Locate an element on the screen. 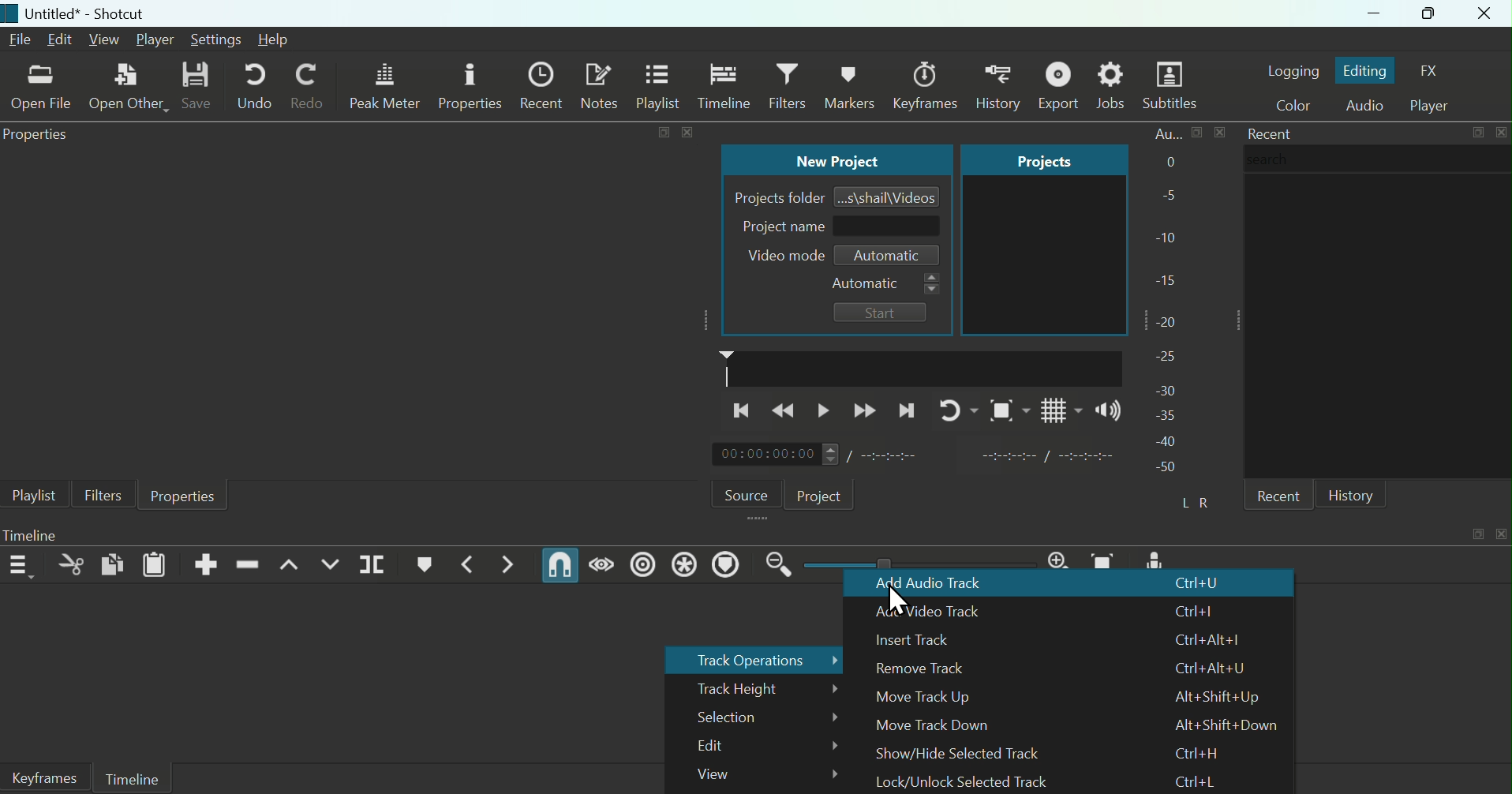  Timeline is located at coordinates (133, 778).